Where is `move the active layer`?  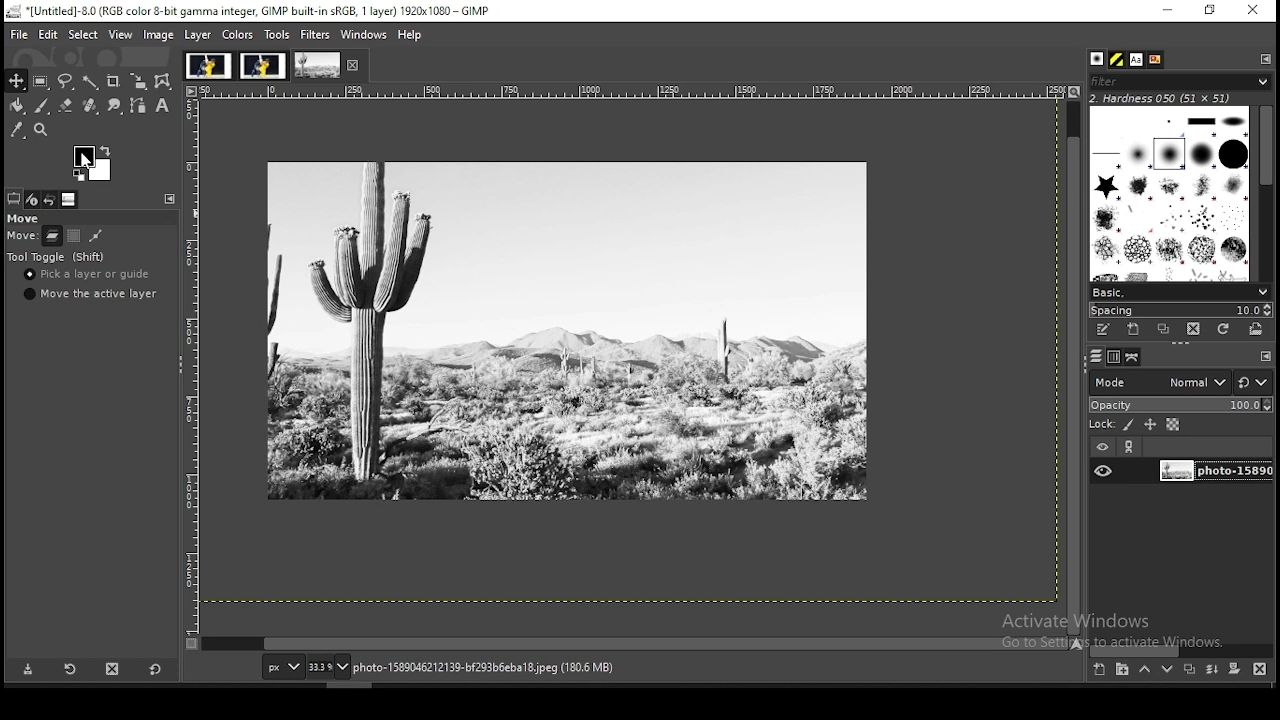 move the active layer is located at coordinates (94, 293).